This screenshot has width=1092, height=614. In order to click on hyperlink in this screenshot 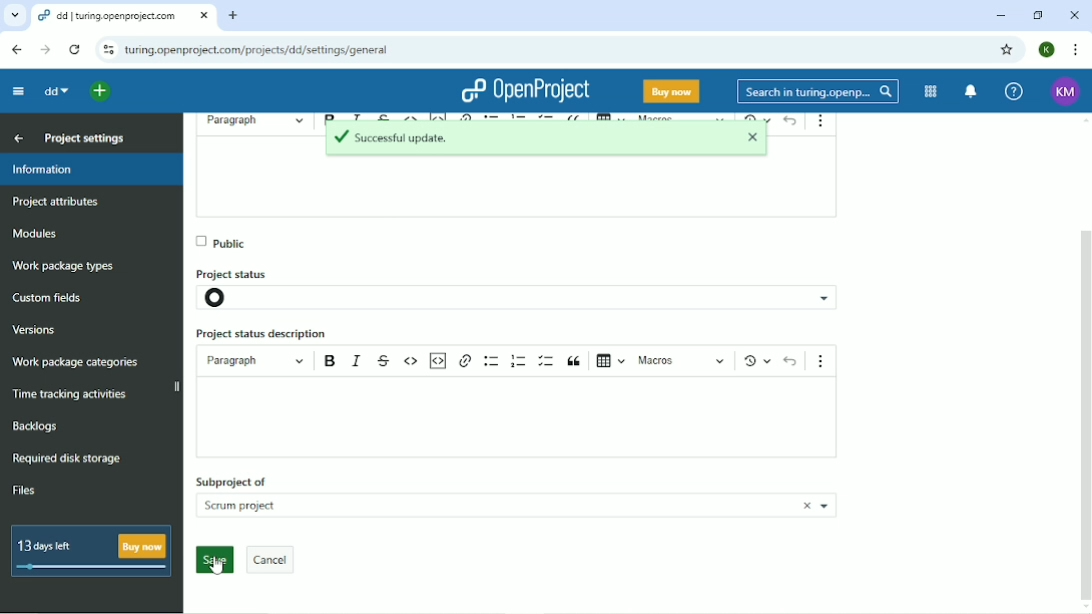, I will do `click(467, 359)`.